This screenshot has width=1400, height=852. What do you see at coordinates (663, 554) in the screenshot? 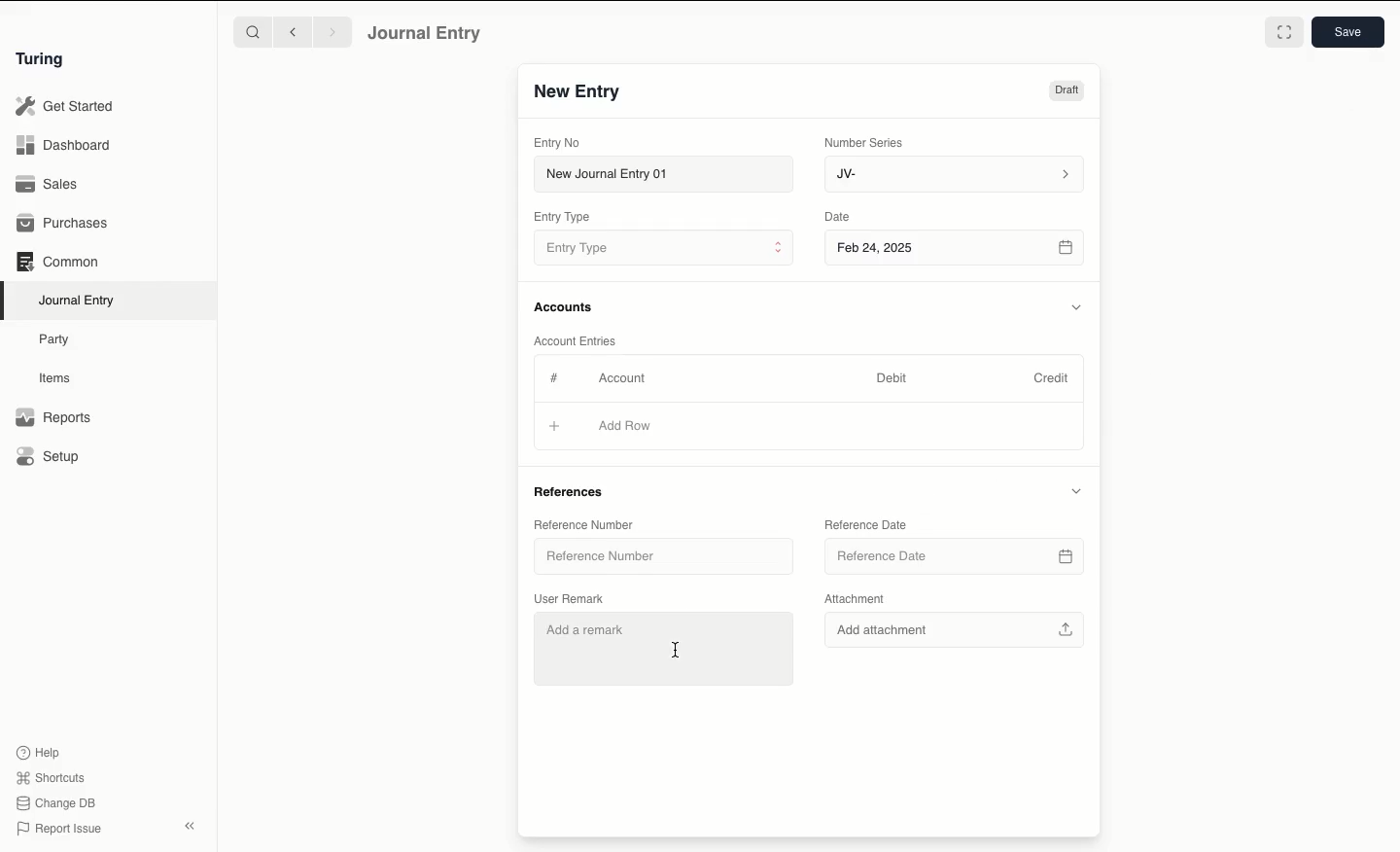
I see `Reference Number` at bounding box center [663, 554].